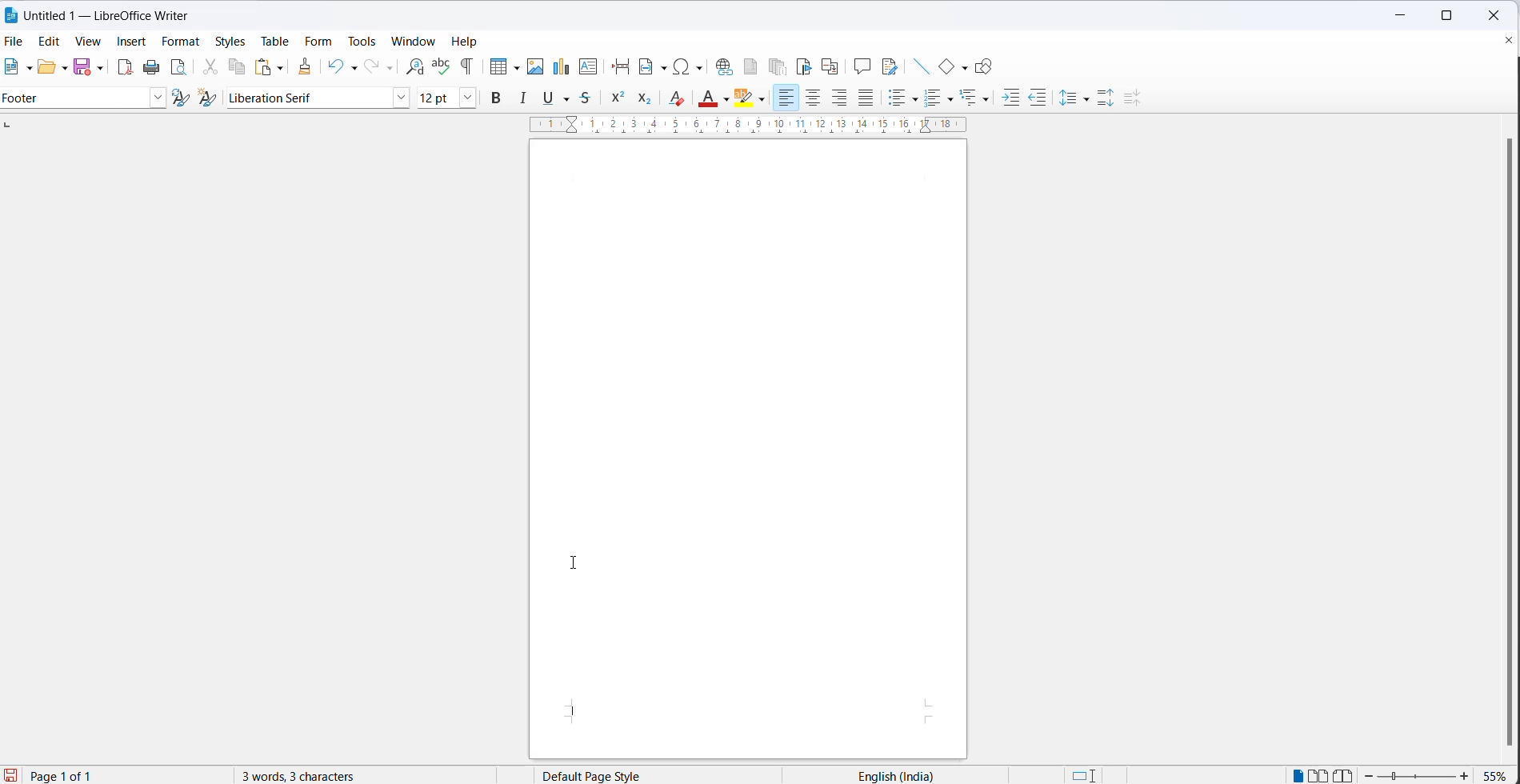 The height and width of the screenshot is (784, 1520). What do you see at coordinates (951, 99) in the screenshot?
I see `toggle ordered list ` at bounding box center [951, 99].